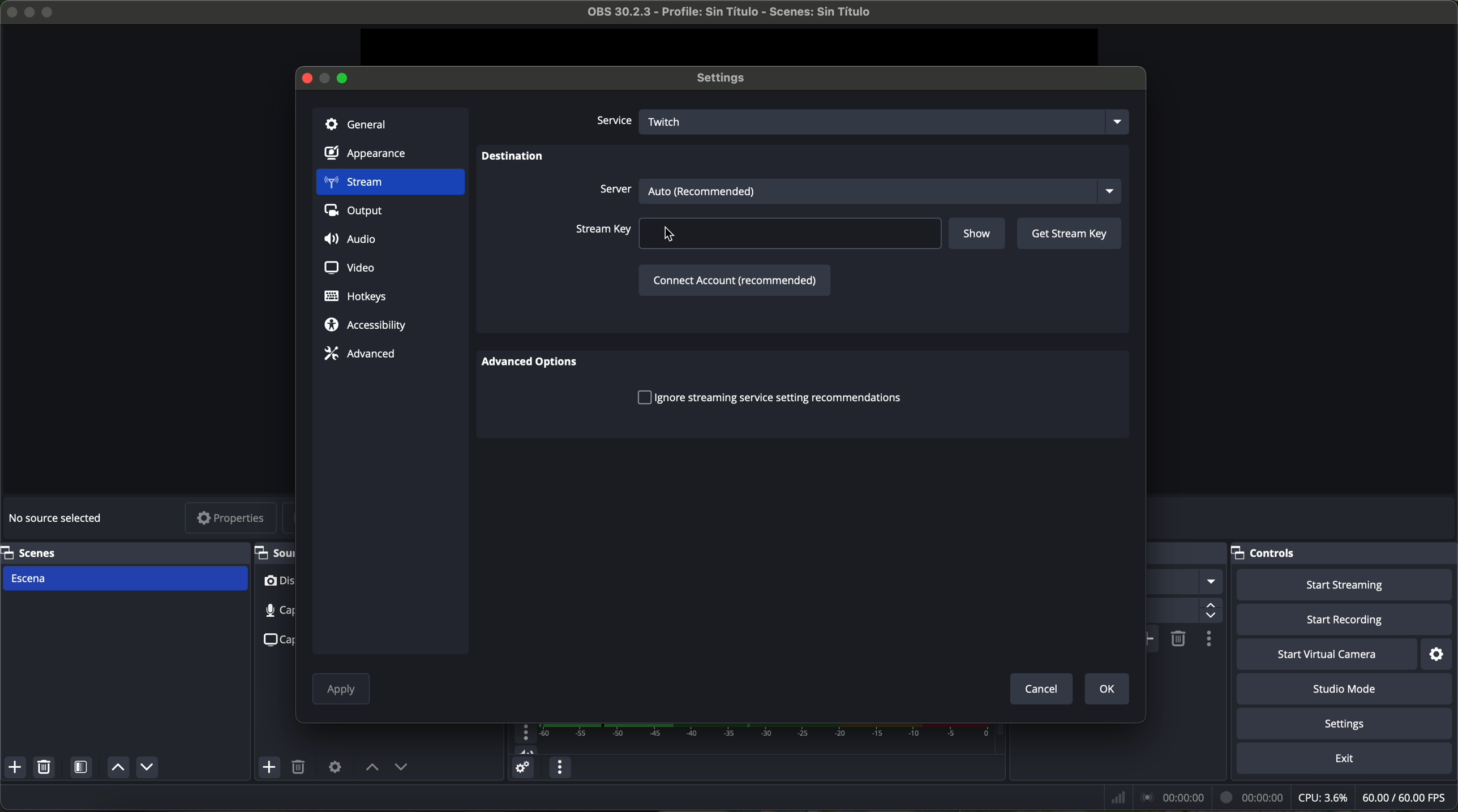 The image size is (1458, 812). Describe the element at coordinates (522, 770) in the screenshot. I see `advanced audio properties` at that location.